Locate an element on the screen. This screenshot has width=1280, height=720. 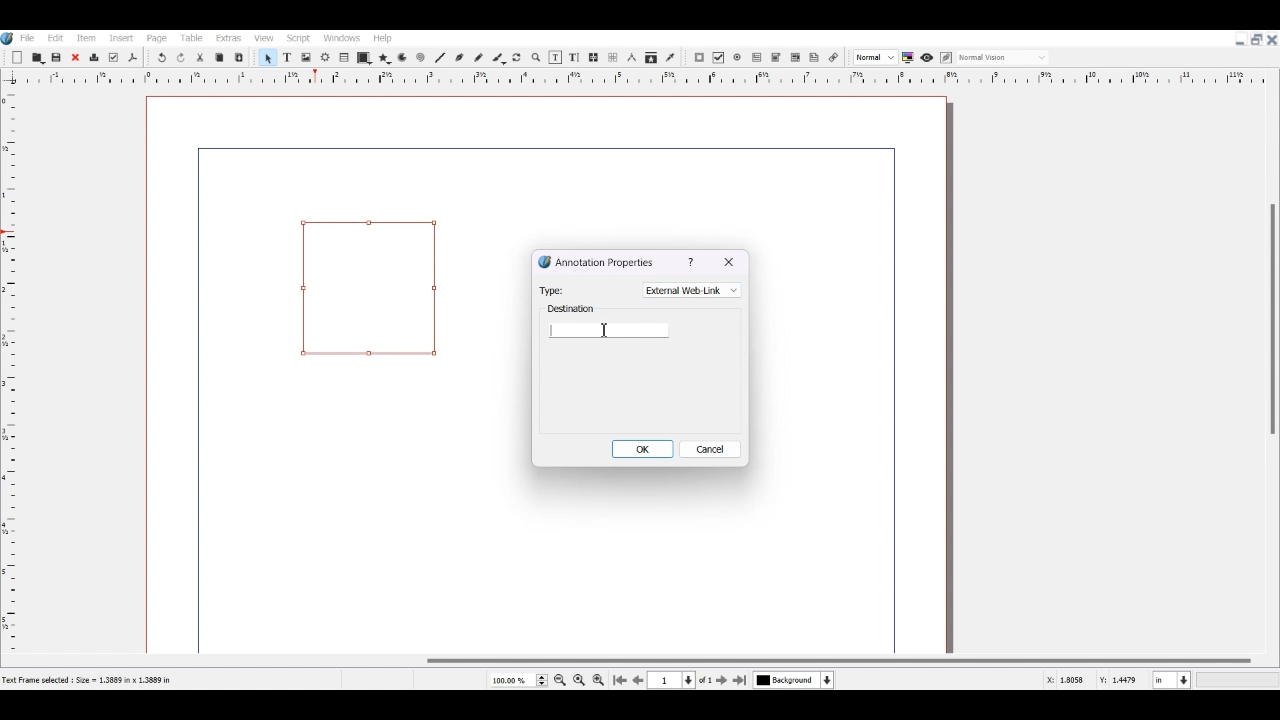
UnLink text Frame is located at coordinates (613, 58).